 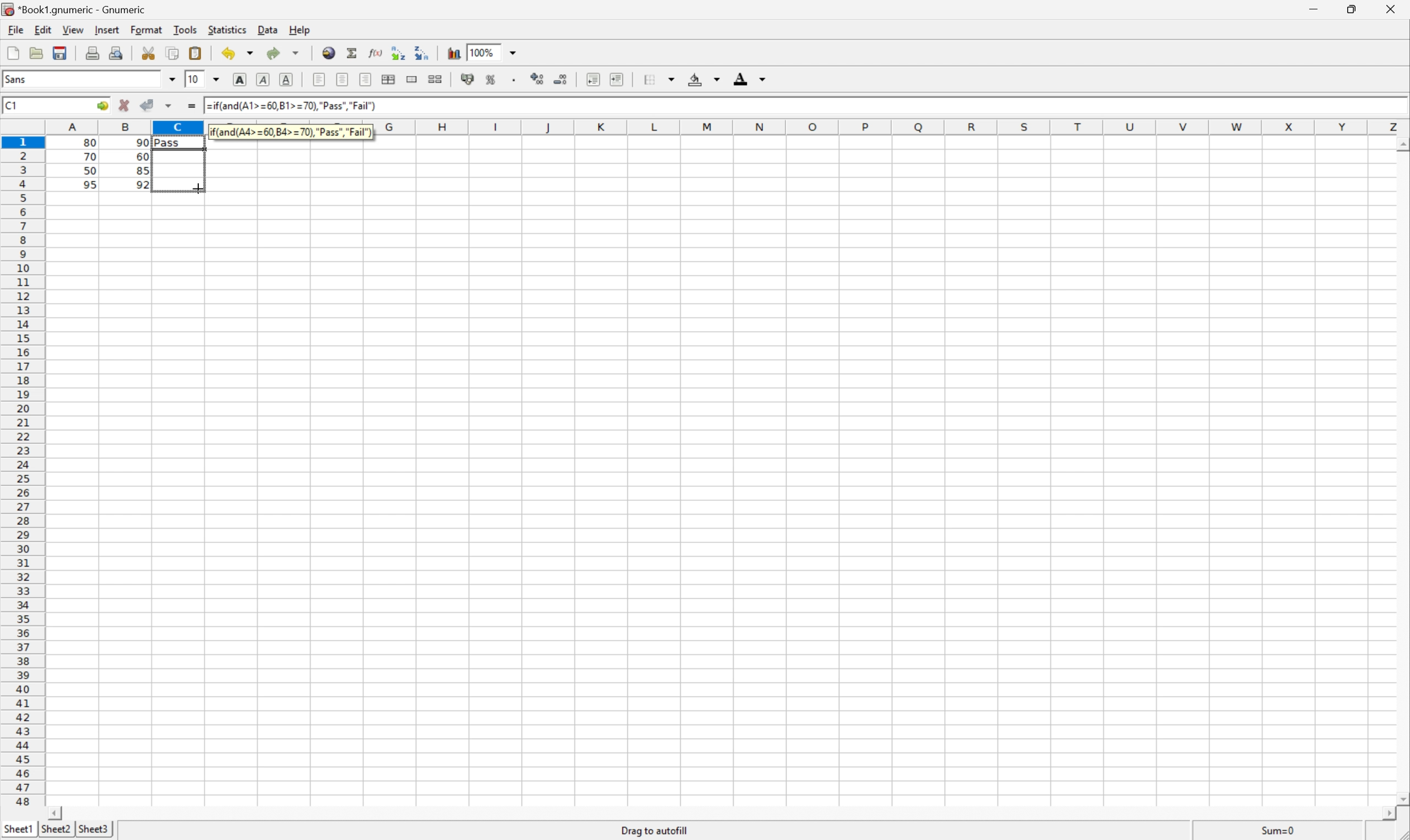 What do you see at coordinates (411, 79) in the screenshot?
I see `Merge ranges of cells` at bounding box center [411, 79].